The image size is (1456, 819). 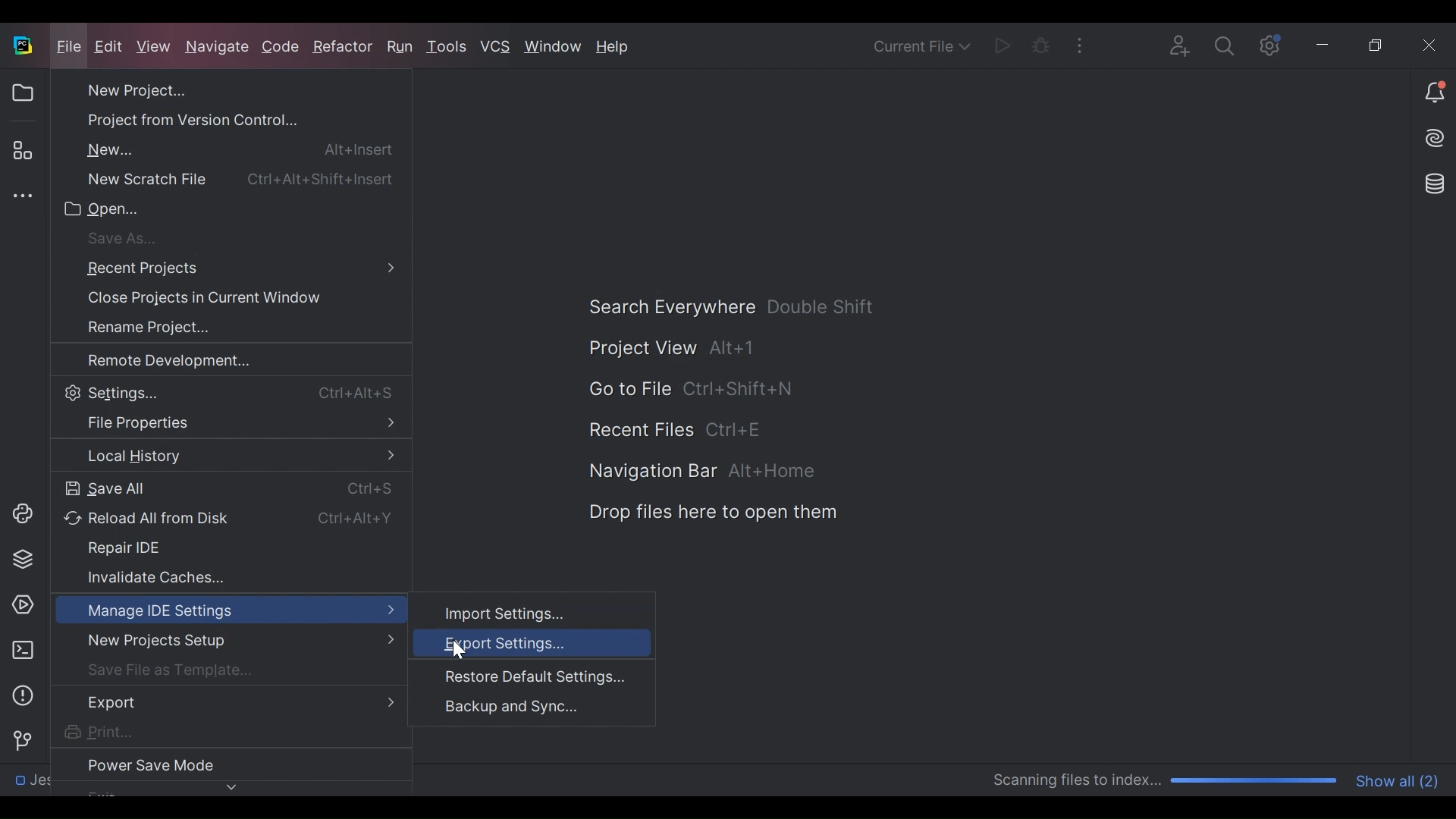 What do you see at coordinates (1377, 42) in the screenshot?
I see `Restore` at bounding box center [1377, 42].